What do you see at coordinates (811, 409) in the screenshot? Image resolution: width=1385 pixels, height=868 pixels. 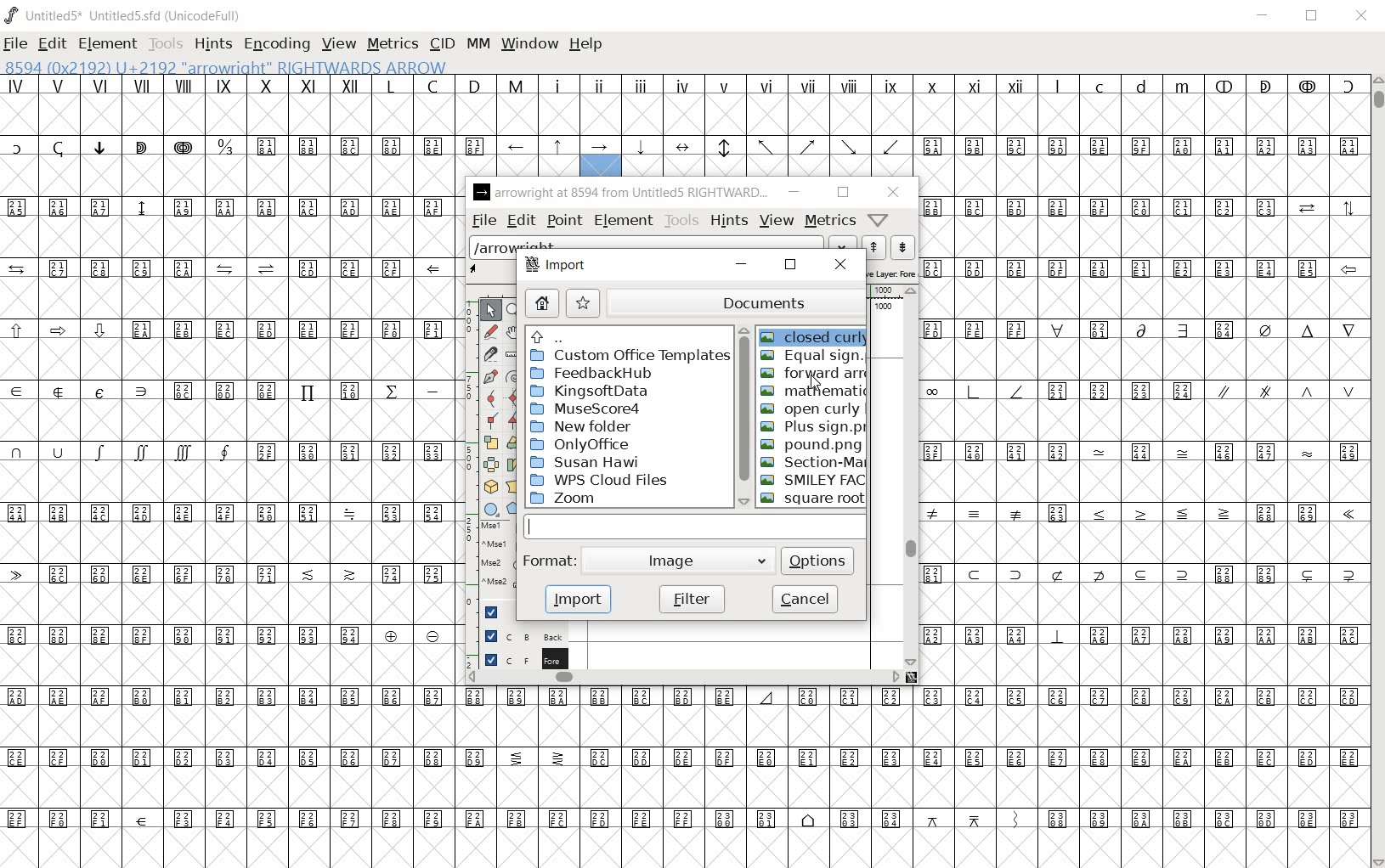 I see `open curly` at bounding box center [811, 409].